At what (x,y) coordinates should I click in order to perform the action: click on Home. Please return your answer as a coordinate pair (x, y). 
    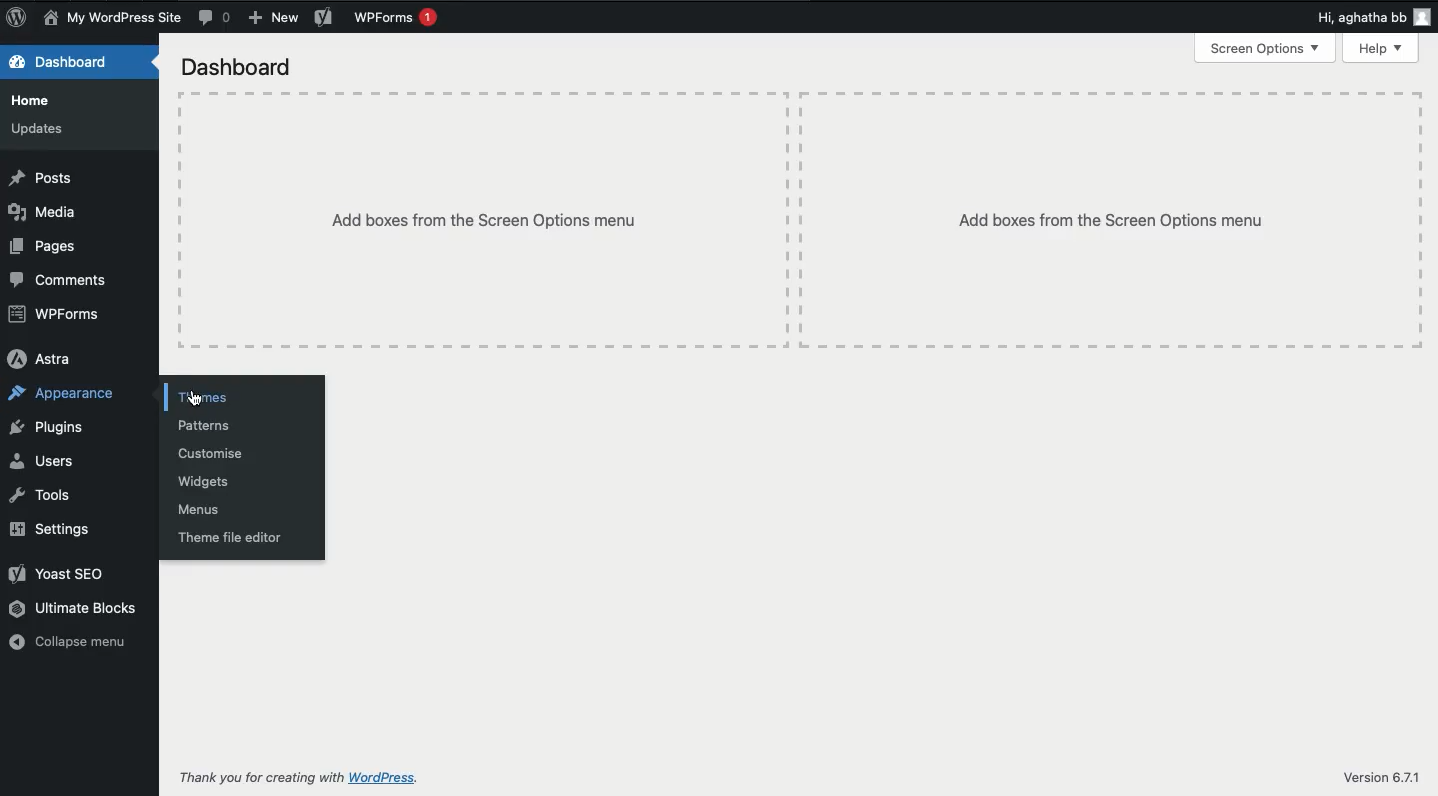
    Looking at the image, I should click on (34, 100).